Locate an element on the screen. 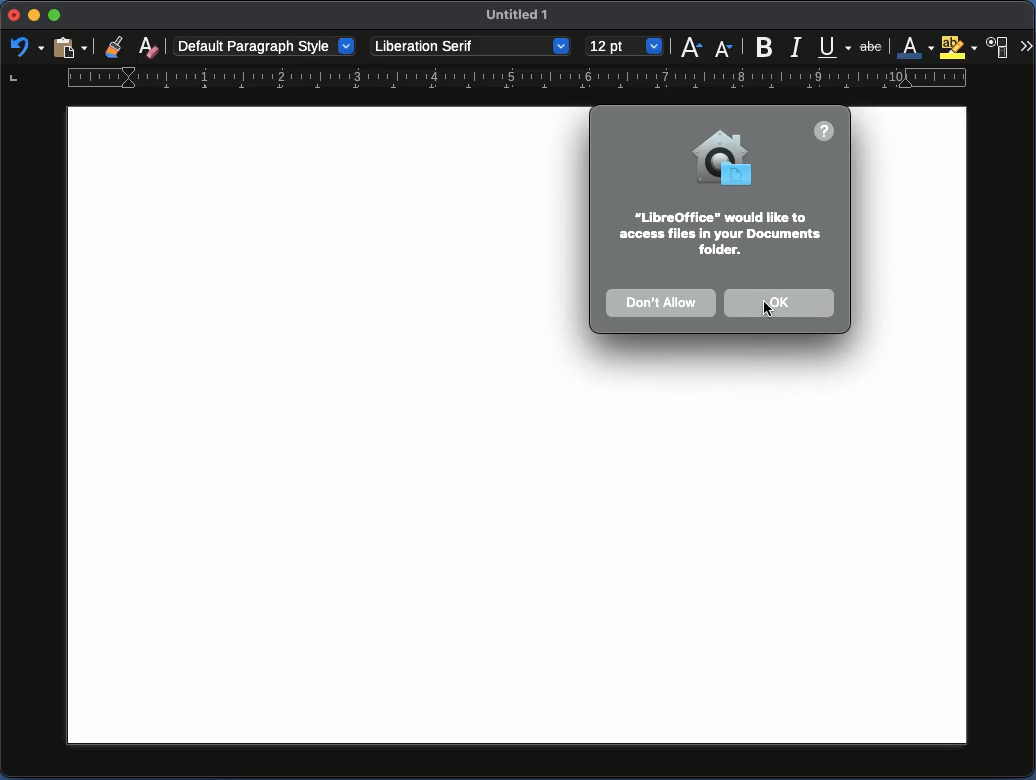 This screenshot has height=780, width=1036. Font style is located at coordinates (470, 47).